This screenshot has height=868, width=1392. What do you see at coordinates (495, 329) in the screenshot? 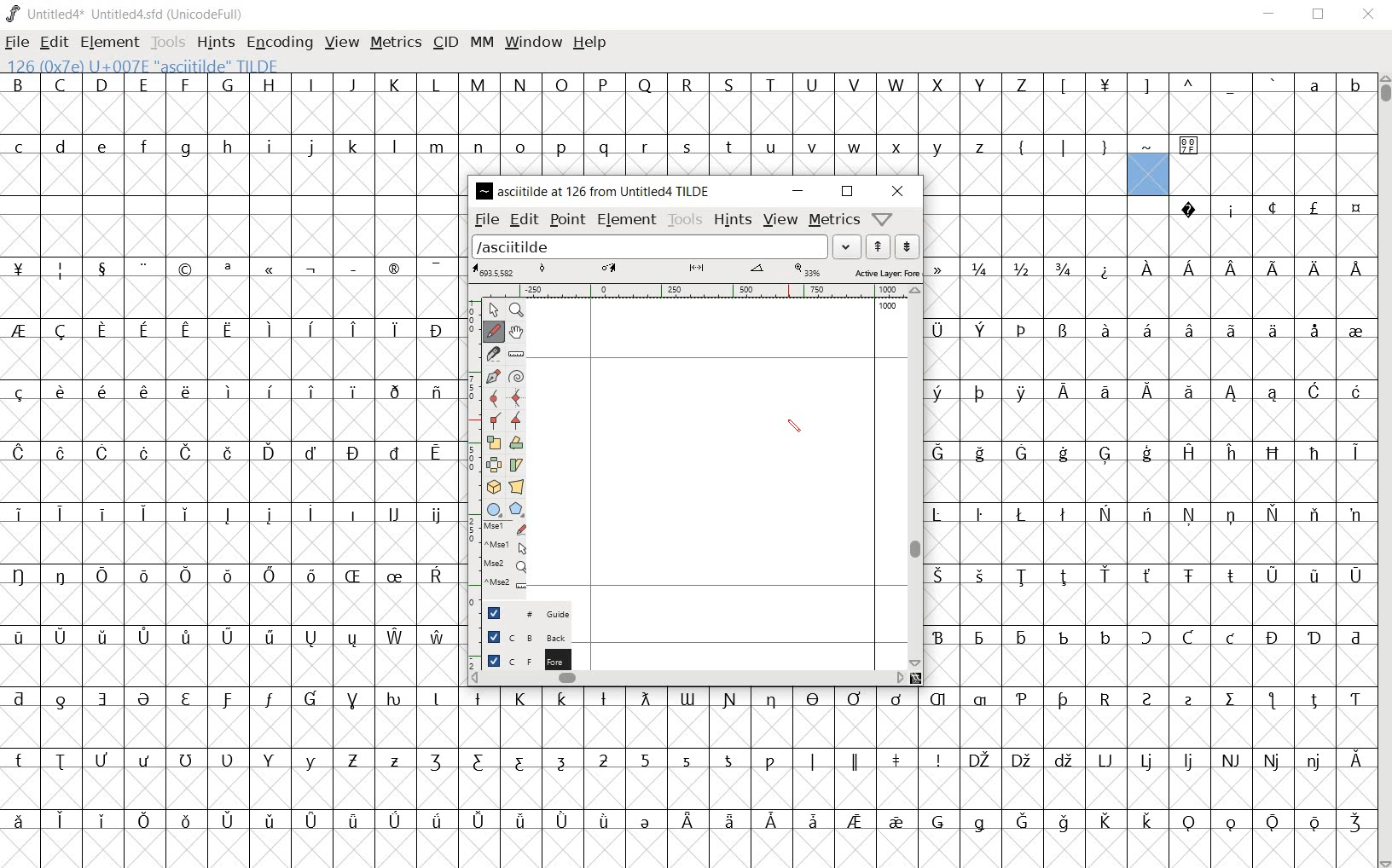
I see `draw a freehand curve` at bounding box center [495, 329].